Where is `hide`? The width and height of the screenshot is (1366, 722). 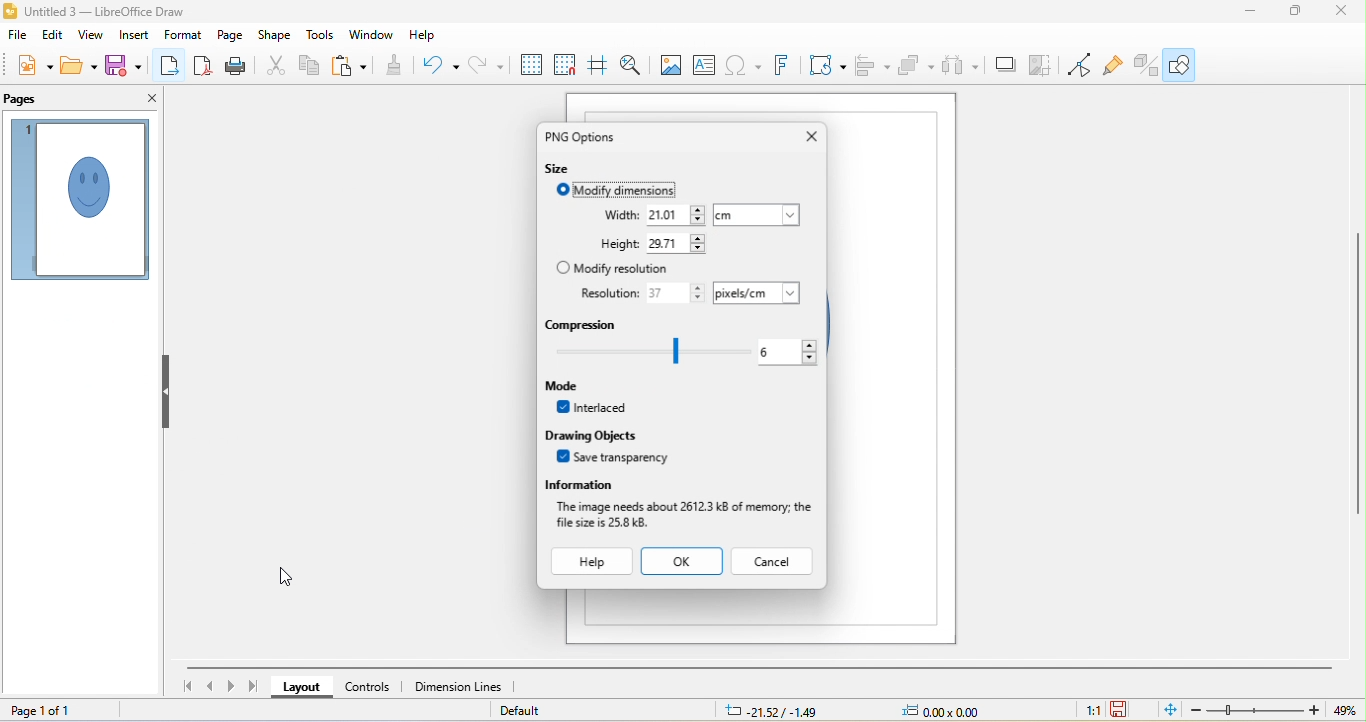 hide is located at coordinates (165, 388).